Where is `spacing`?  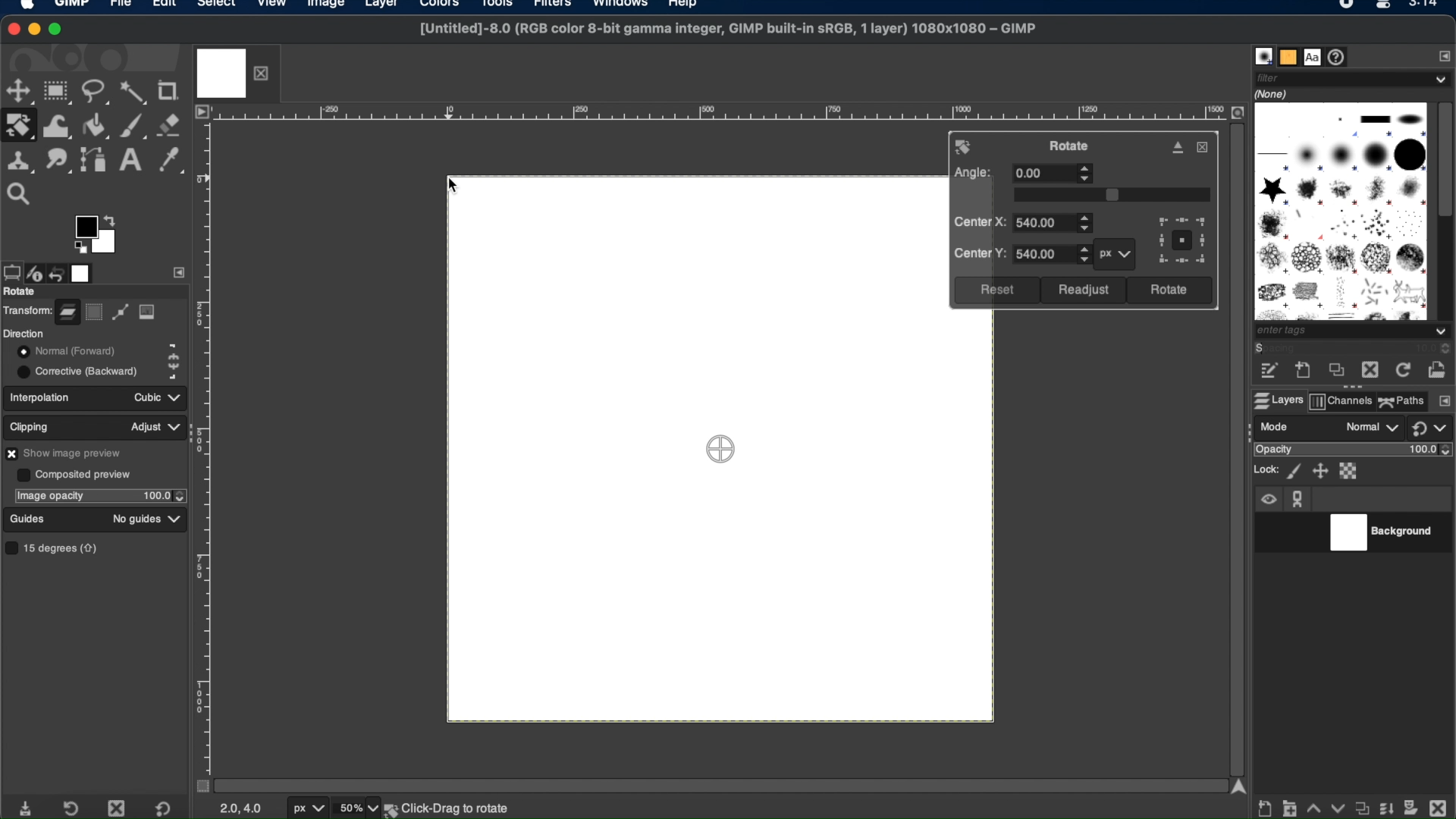
spacing is located at coordinates (1292, 350).